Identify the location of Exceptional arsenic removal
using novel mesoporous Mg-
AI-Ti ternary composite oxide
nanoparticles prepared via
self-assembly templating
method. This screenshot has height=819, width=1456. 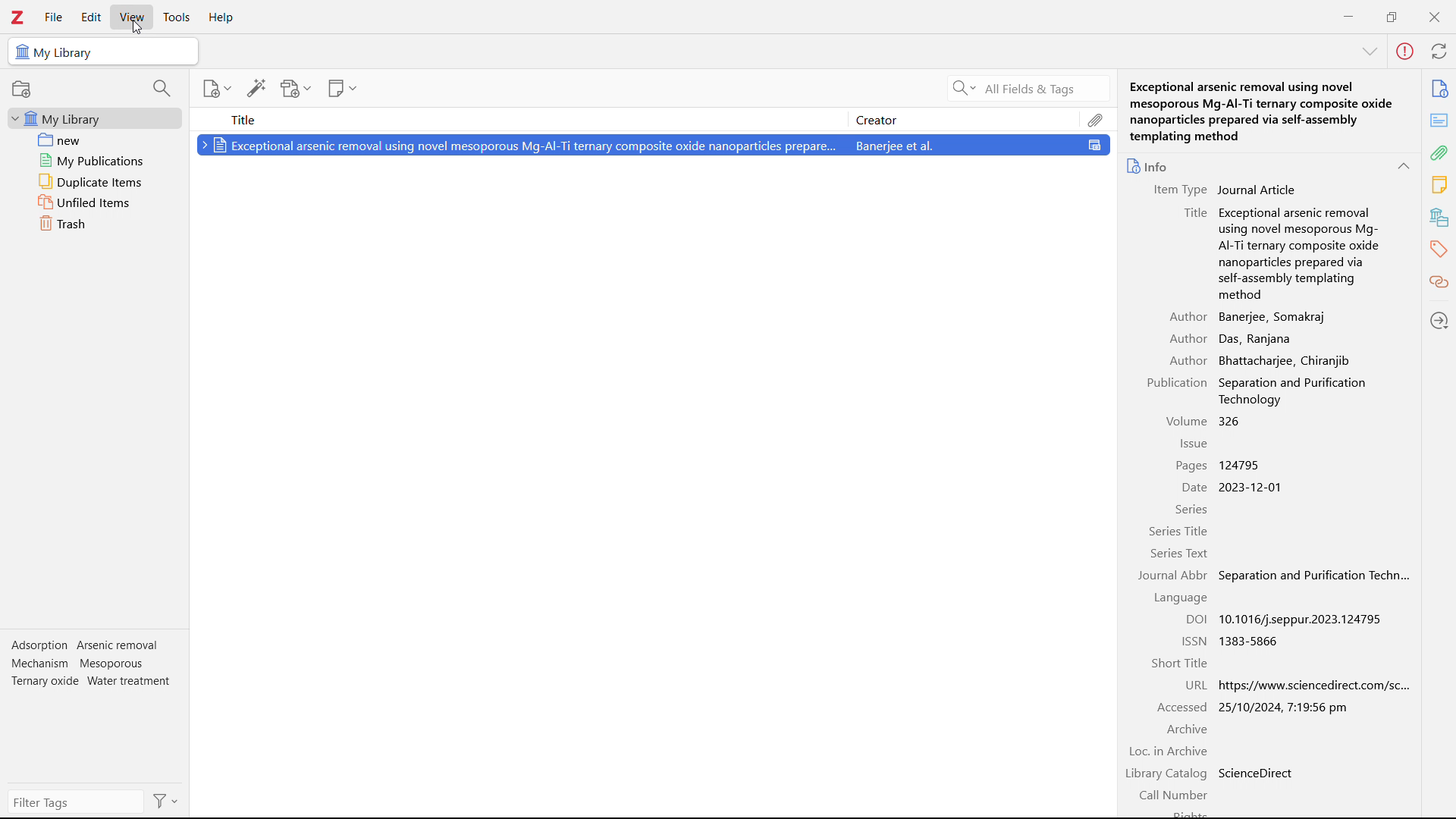
(1298, 253).